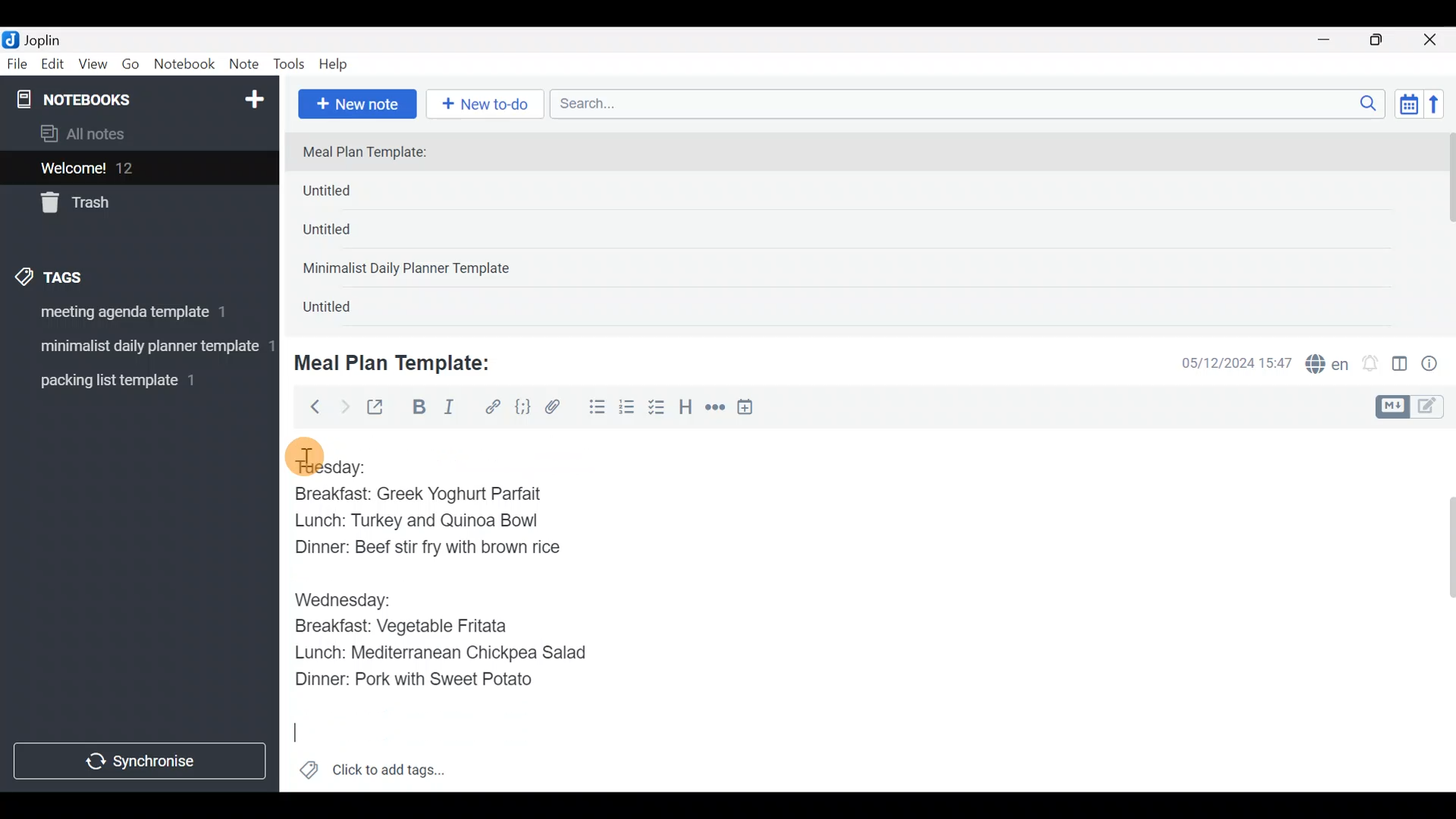 This screenshot has height=819, width=1456. Describe the element at coordinates (422, 522) in the screenshot. I see `Lunch: Turkey and Quinoa Bowl` at that location.